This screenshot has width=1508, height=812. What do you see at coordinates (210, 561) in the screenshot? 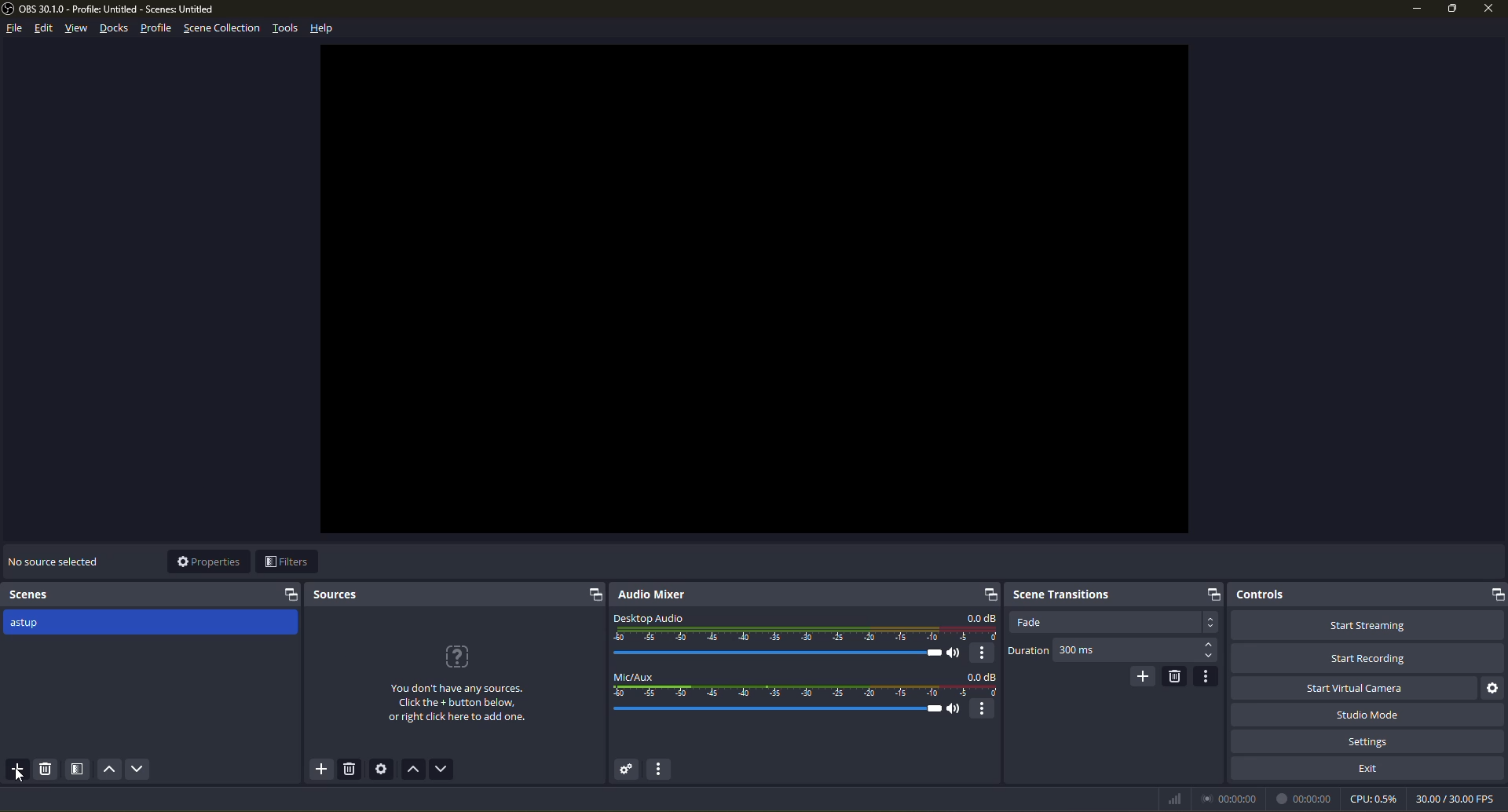
I see `properties` at bounding box center [210, 561].